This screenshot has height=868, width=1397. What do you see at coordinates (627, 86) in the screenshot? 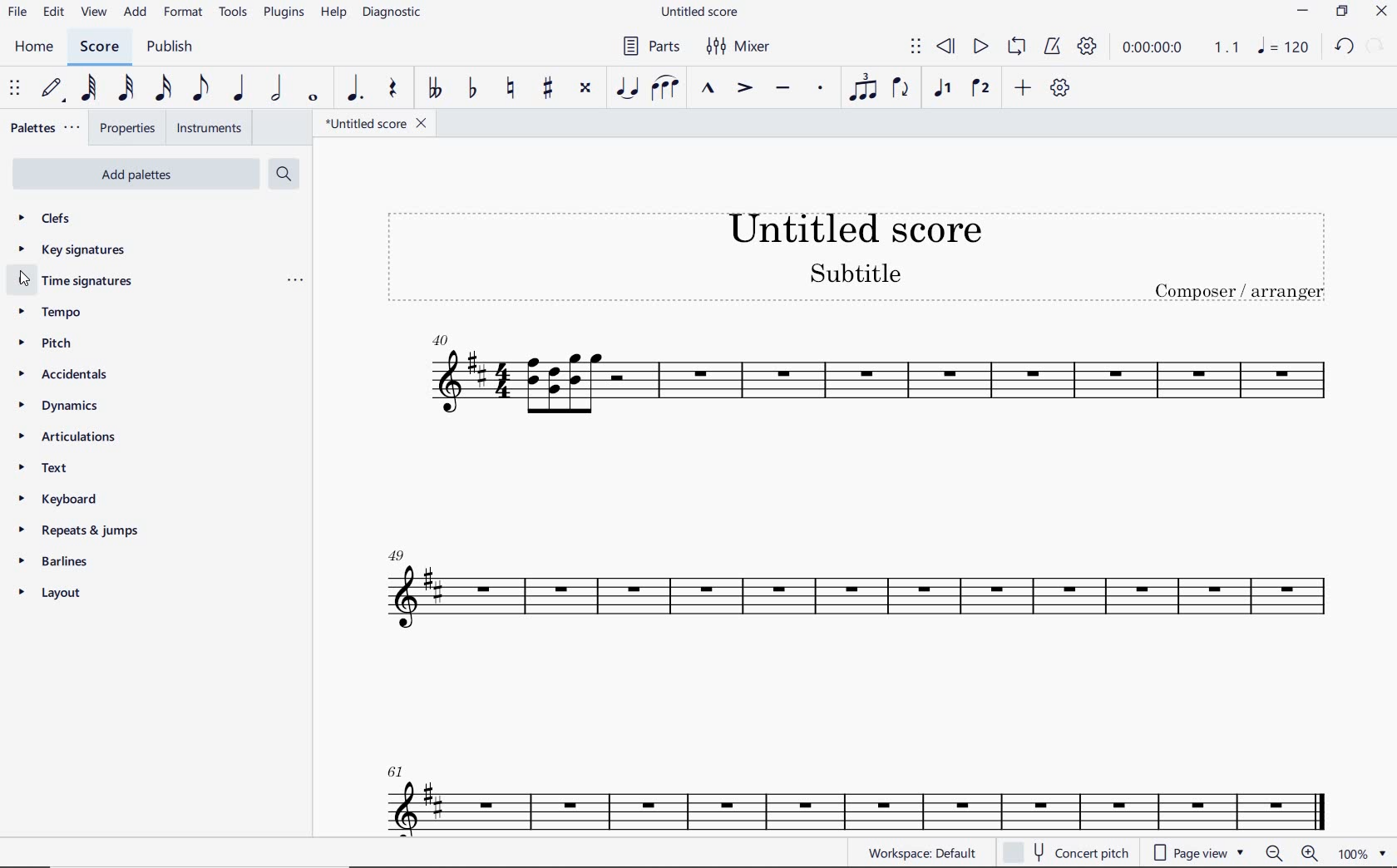
I see `TIE` at bounding box center [627, 86].